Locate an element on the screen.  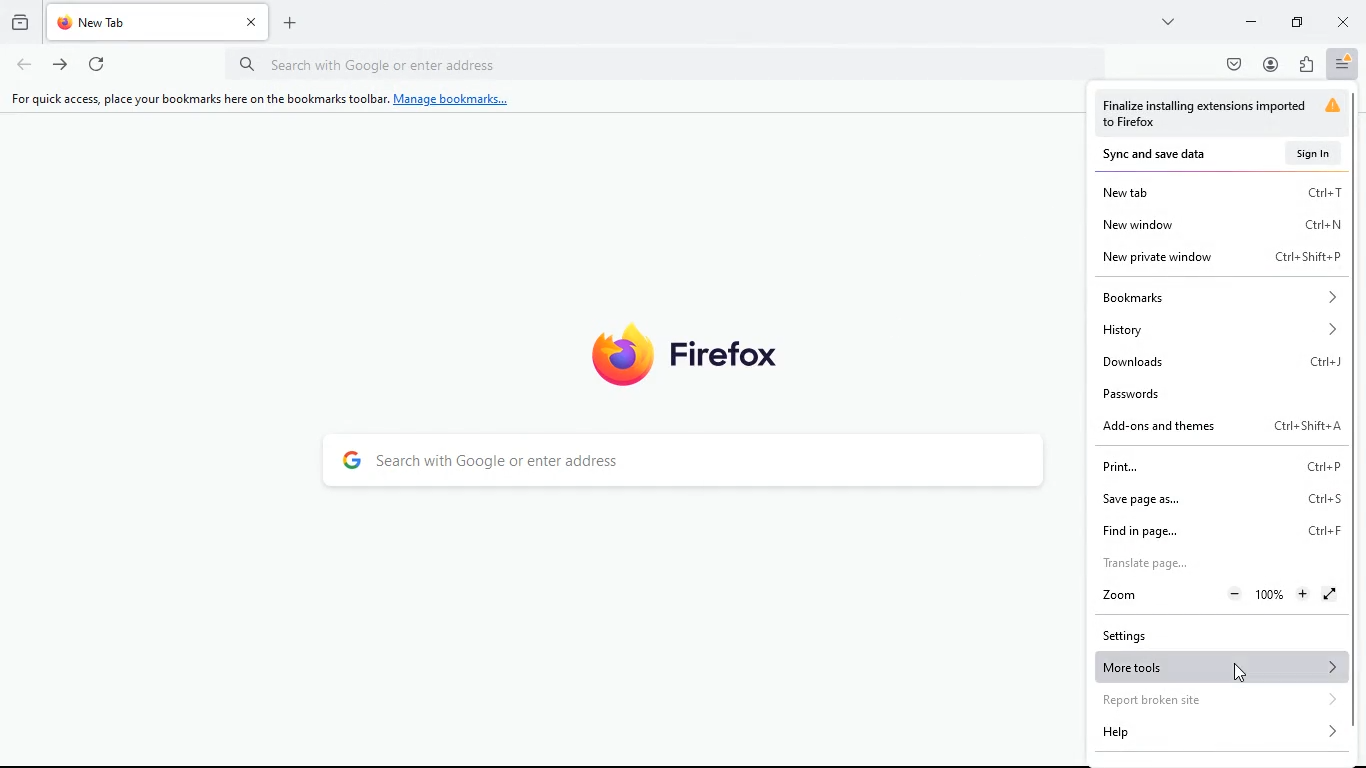
sign in is located at coordinates (1311, 155).